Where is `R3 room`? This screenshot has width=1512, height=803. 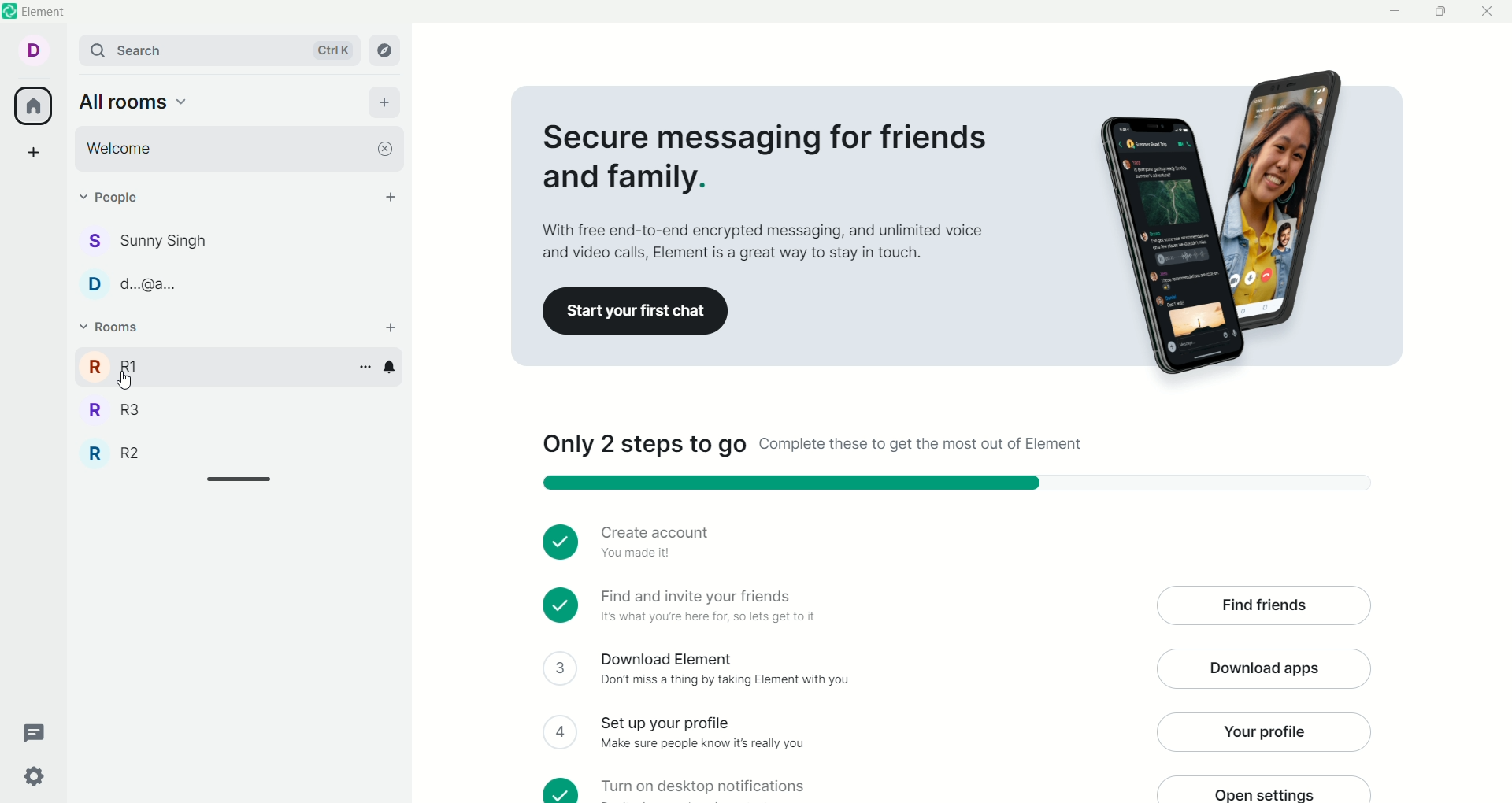
R3 room is located at coordinates (115, 410).